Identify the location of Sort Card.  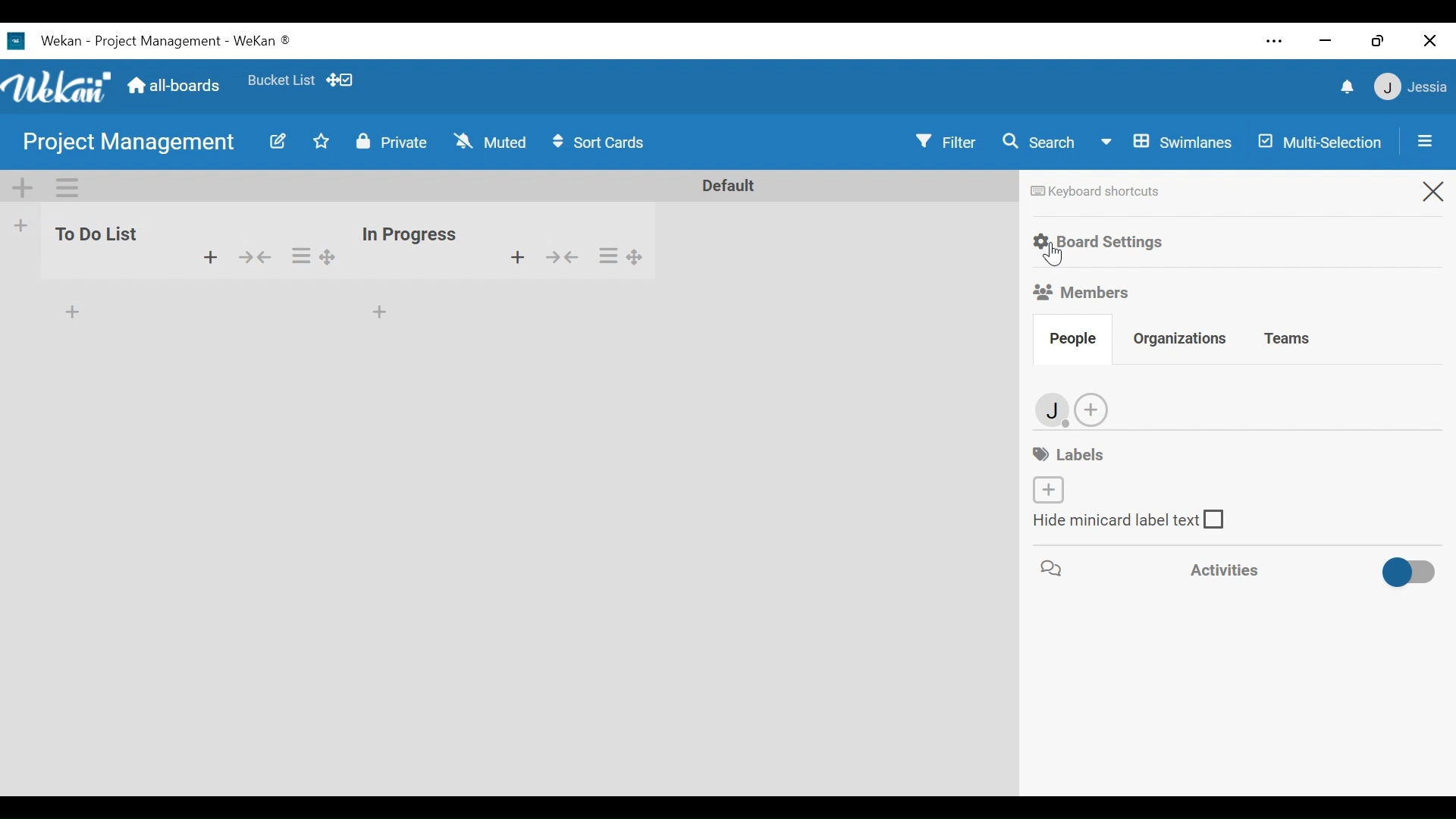
(606, 143).